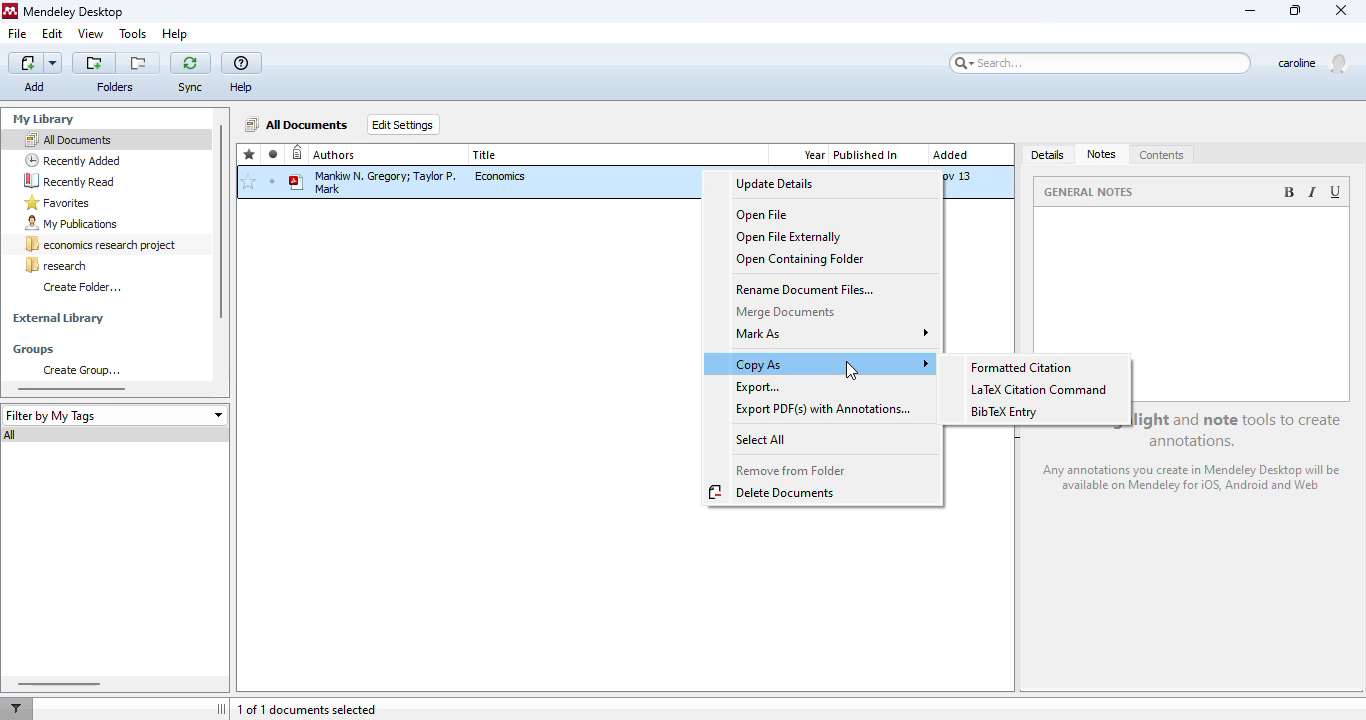 The width and height of the screenshot is (1366, 720). I want to click on remove the current folder, so click(139, 63).